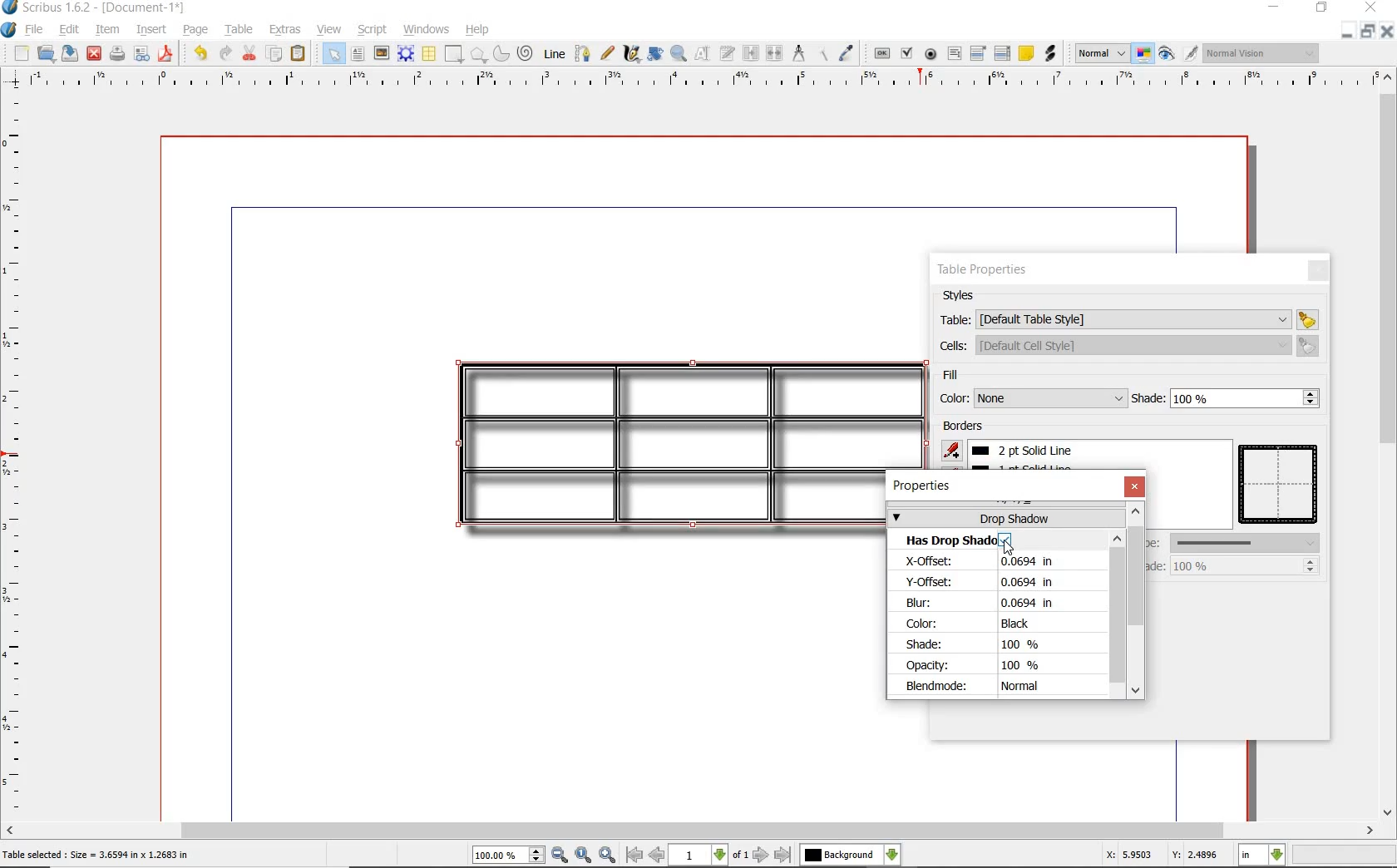 This screenshot has width=1397, height=868. Describe the element at coordinates (1227, 398) in the screenshot. I see `shade` at that location.